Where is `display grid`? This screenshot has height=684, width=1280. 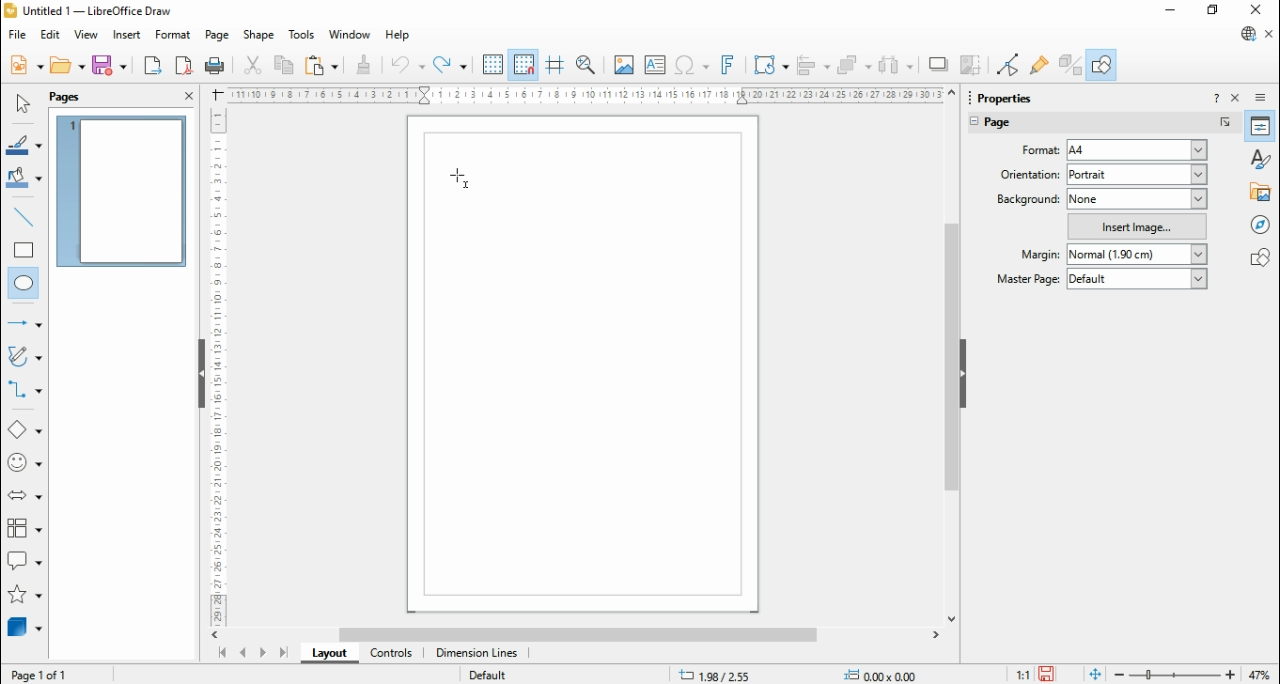
display grid is located at coordinates (492, 66).